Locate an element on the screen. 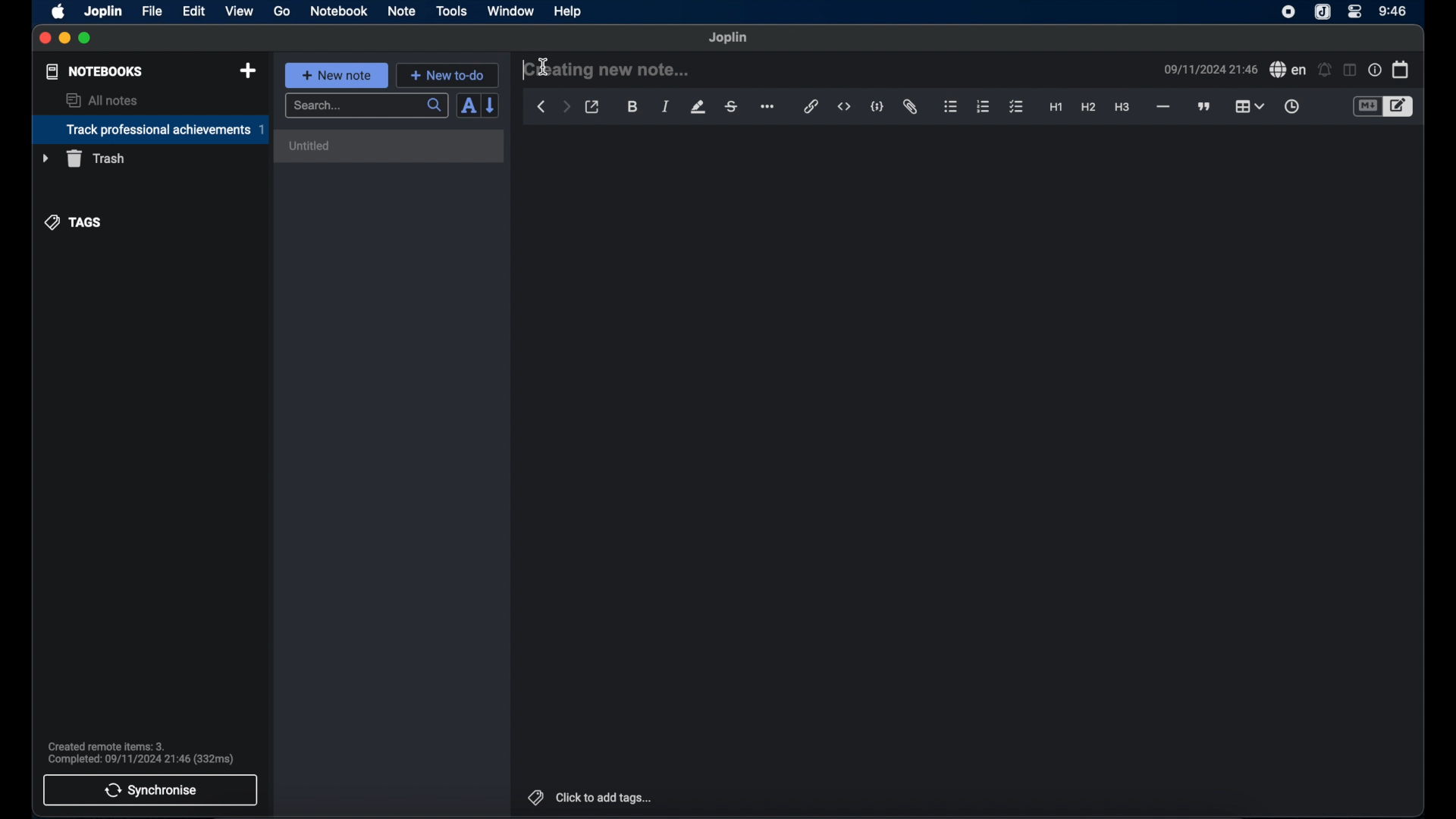  heading 2 is located at coordinates (1088, 108).